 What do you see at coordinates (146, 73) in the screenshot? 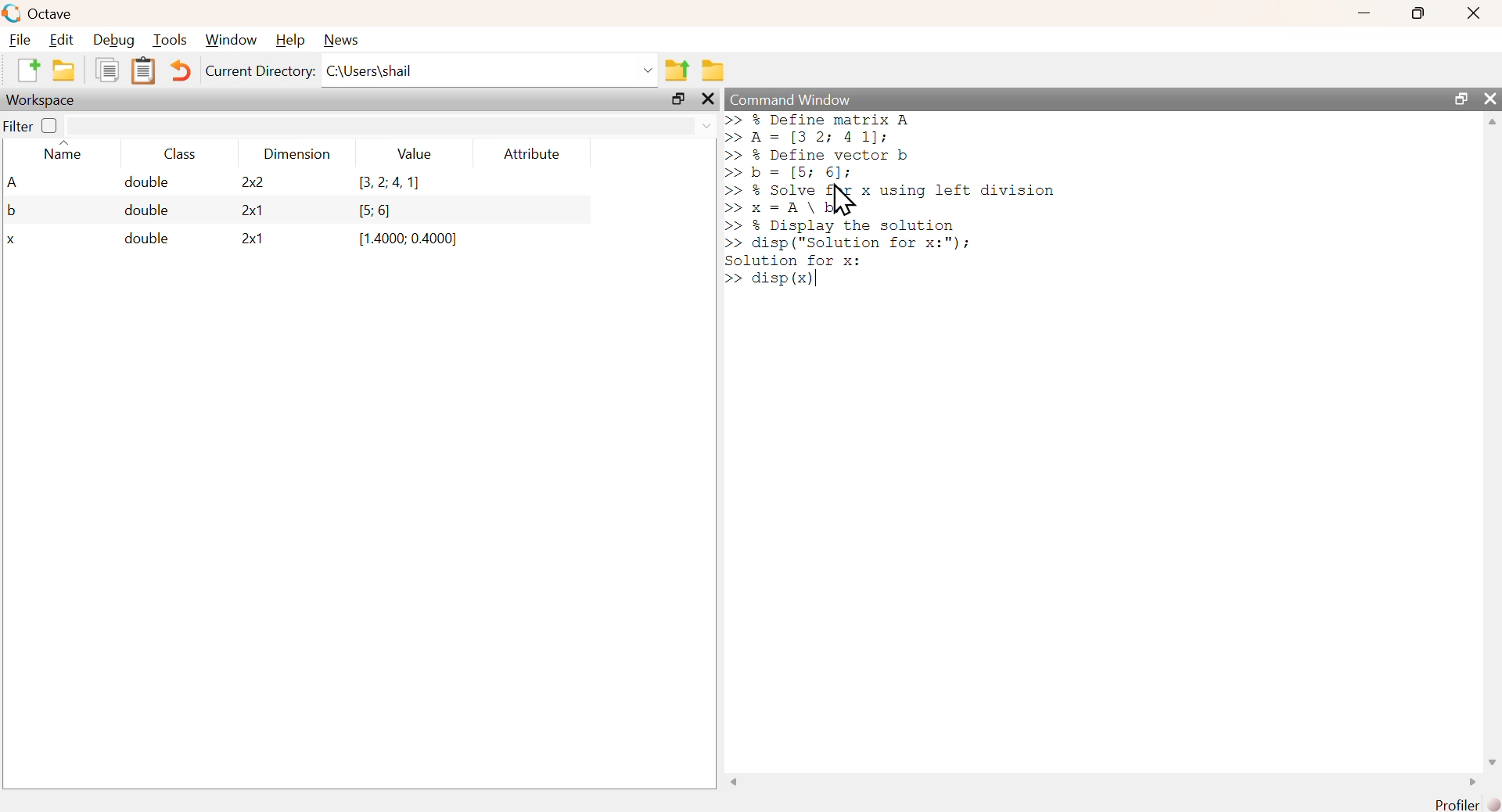
I see `paste` at bounding box center [146, 73].